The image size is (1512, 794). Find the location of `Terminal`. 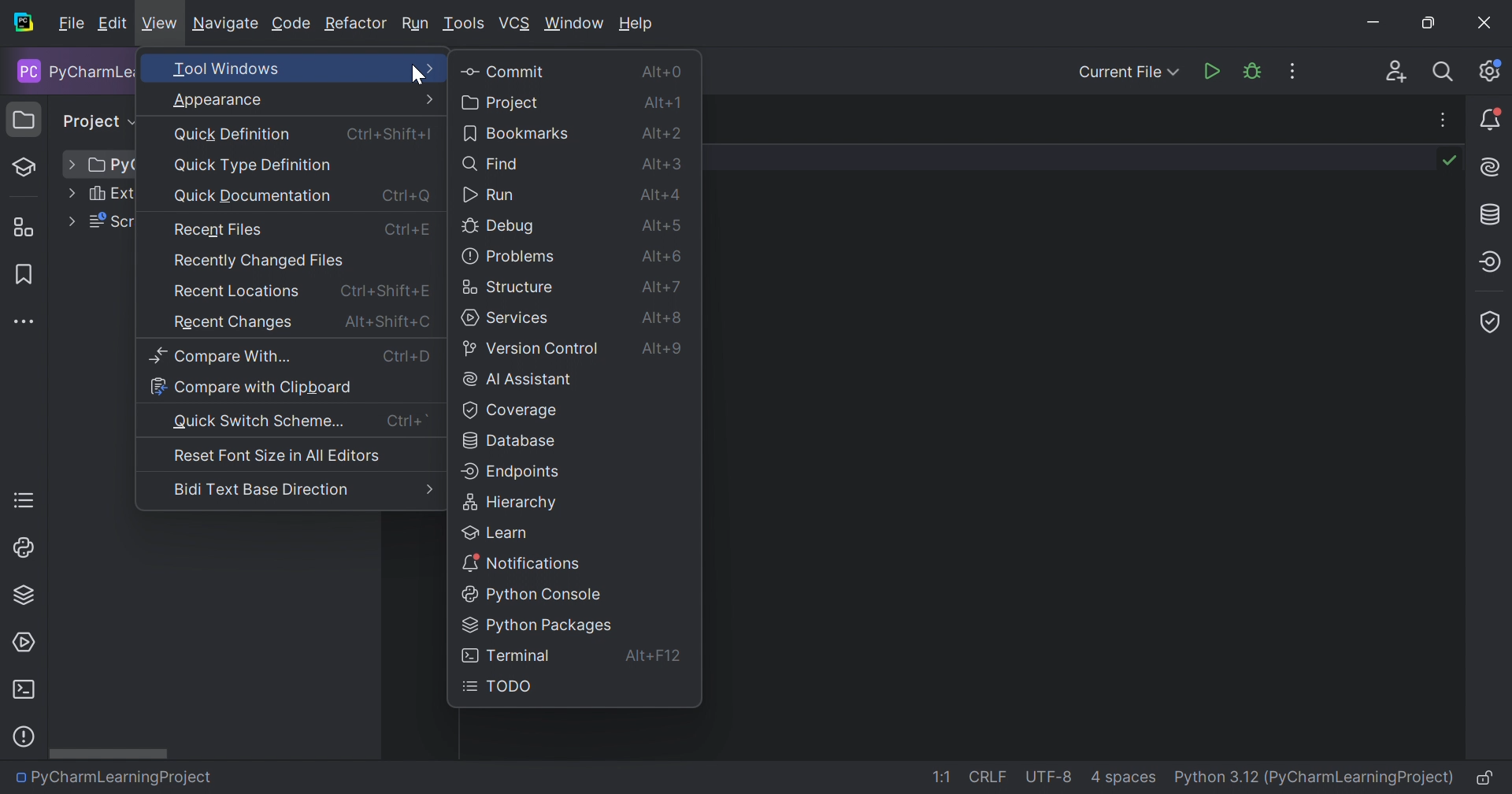

Terminal is located at coordinates (506, 655).